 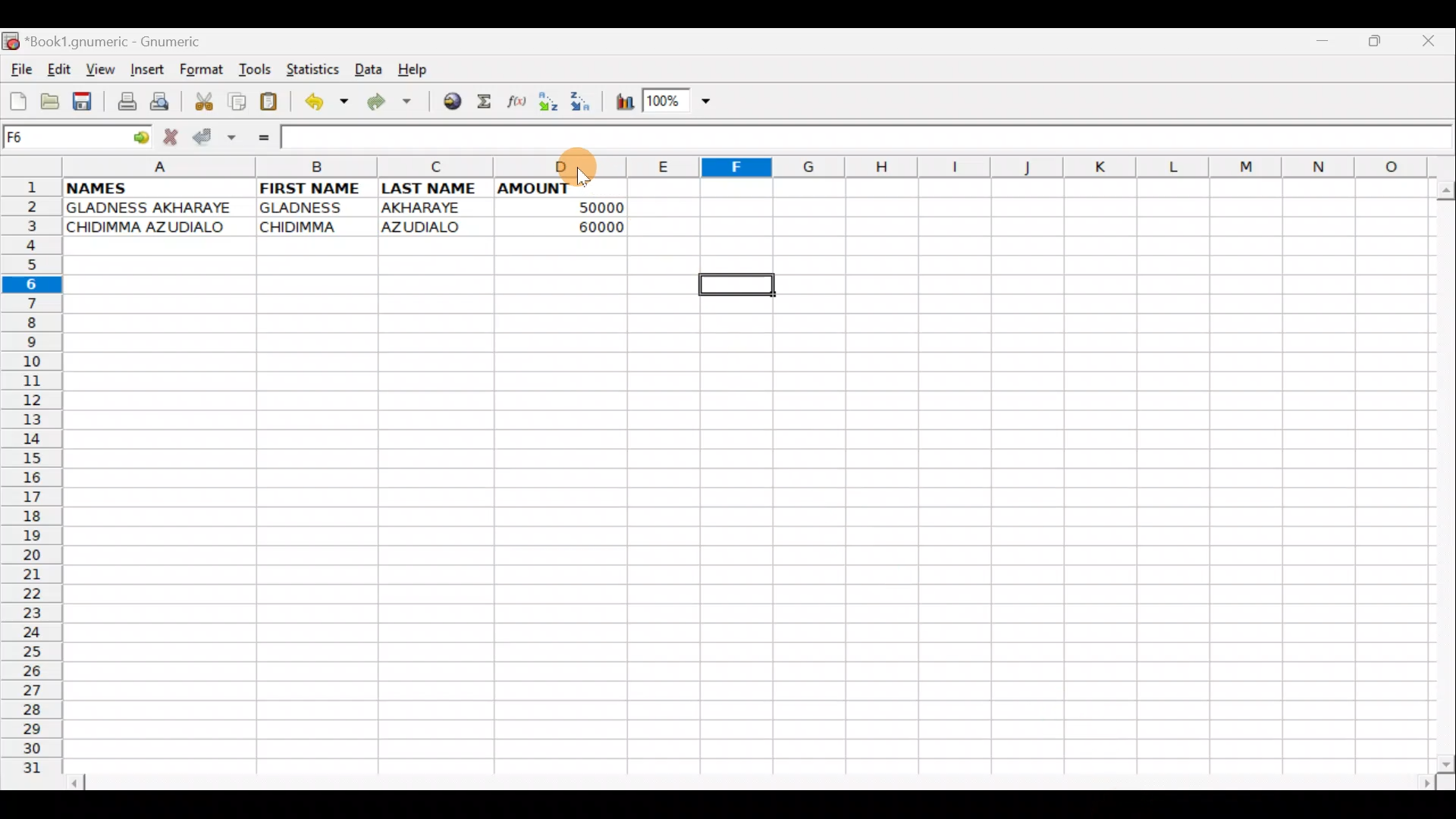 What do you see at coordinates (20, 71) in the screenshot?
I see `File` at bounding box center [20, 71].